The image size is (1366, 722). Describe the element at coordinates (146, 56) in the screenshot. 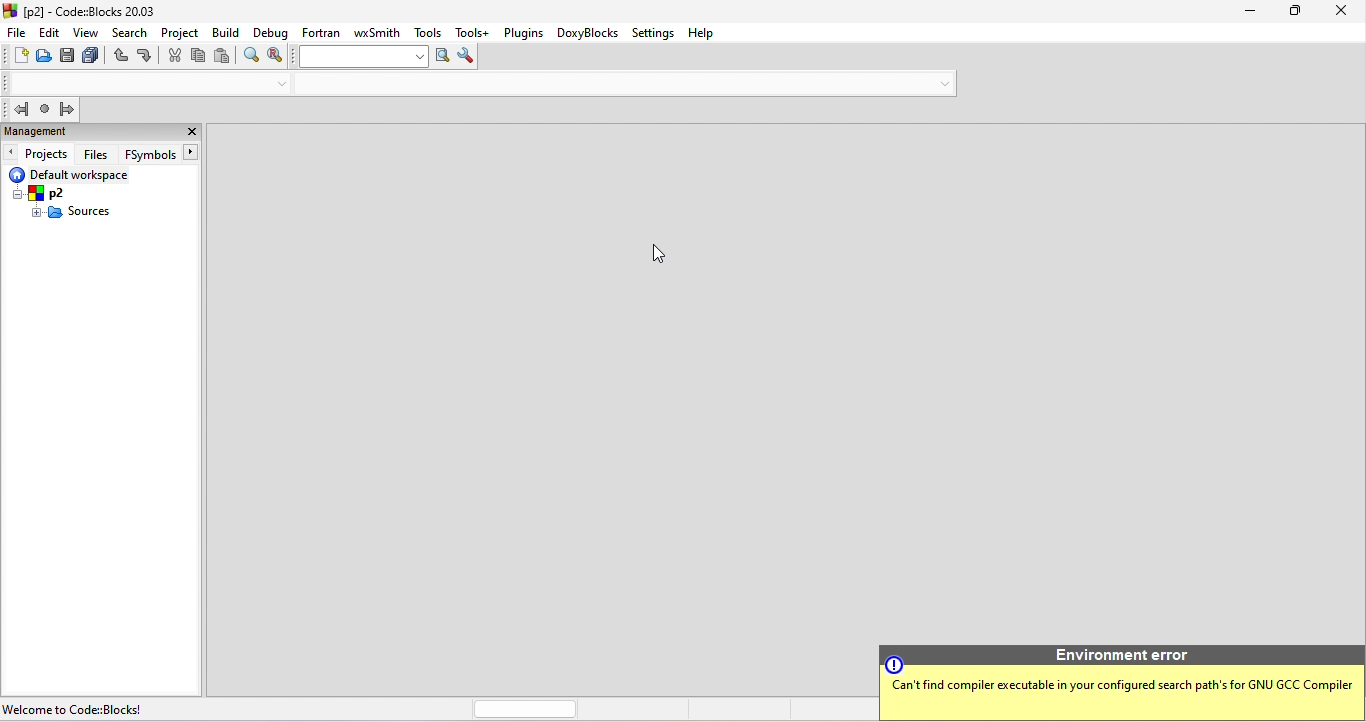

I see `redo` at that location.